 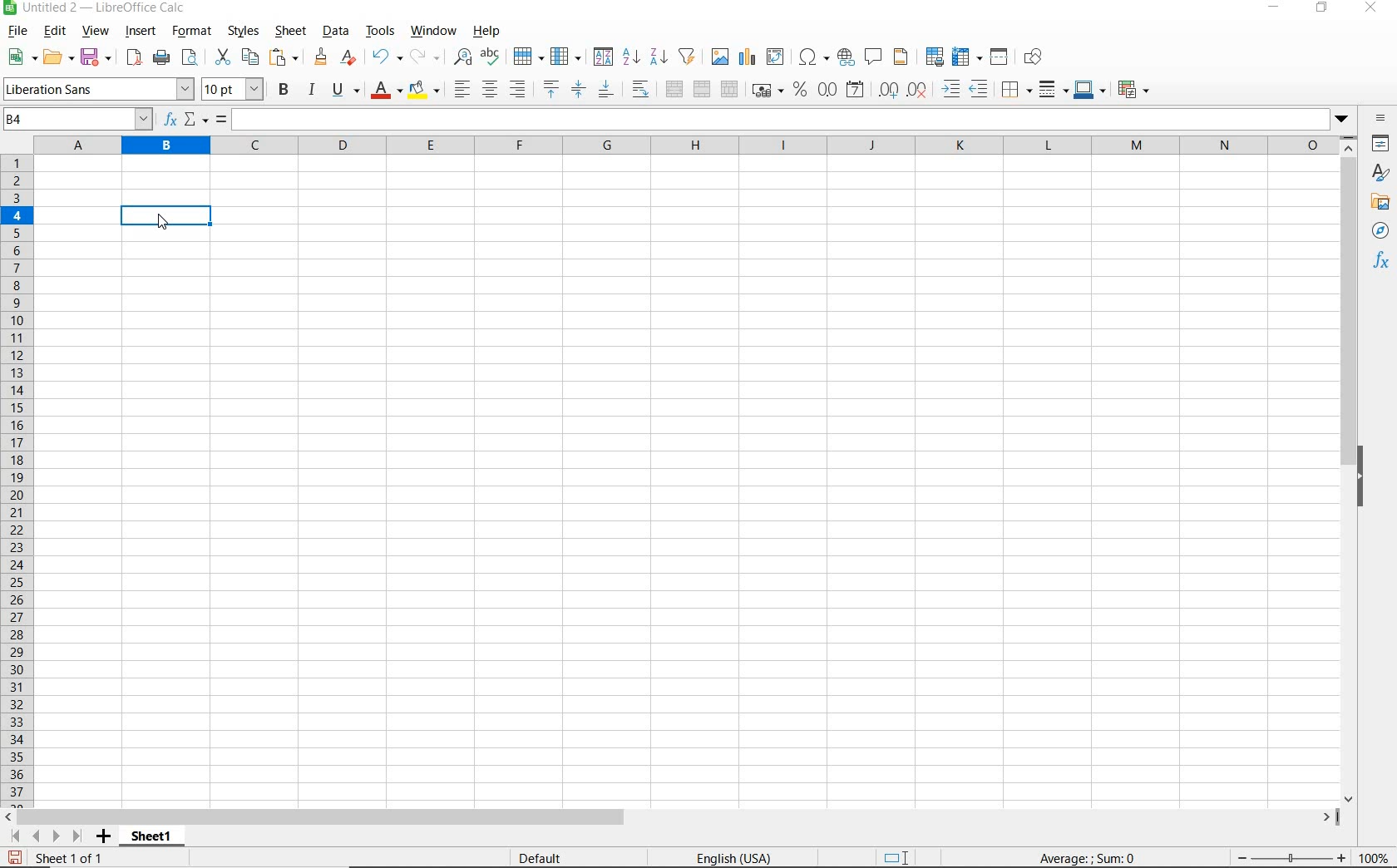 I want to click on insert, so click(x=141, y=32).